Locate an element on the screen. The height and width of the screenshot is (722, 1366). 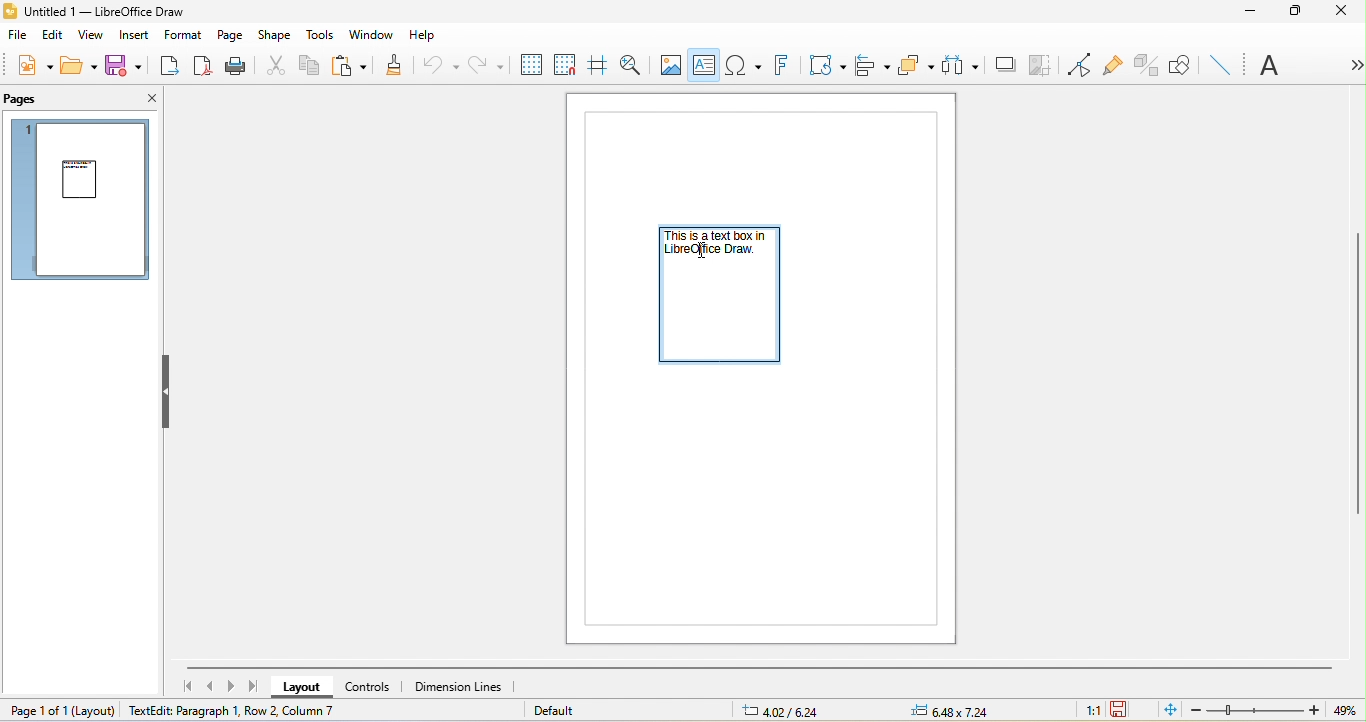
next page is located at coordinates (231, 686).